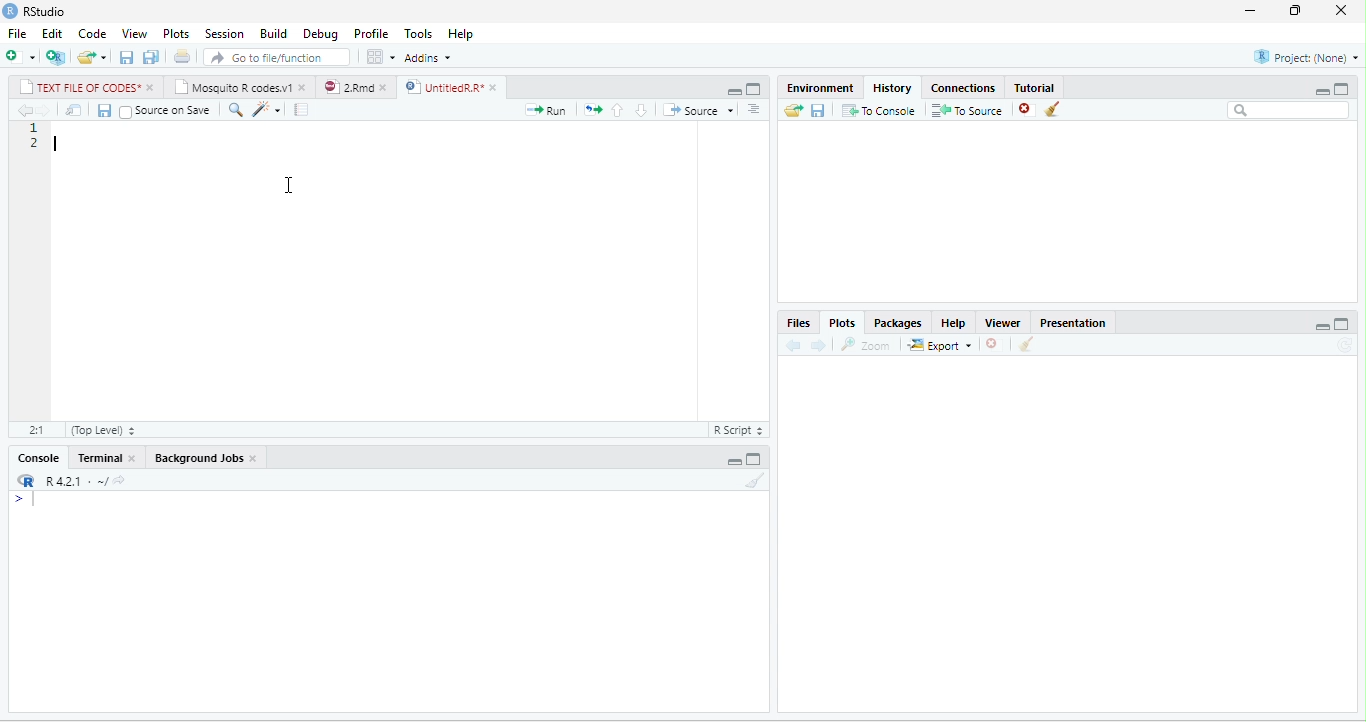  I want to click on save, so click(126, 58).